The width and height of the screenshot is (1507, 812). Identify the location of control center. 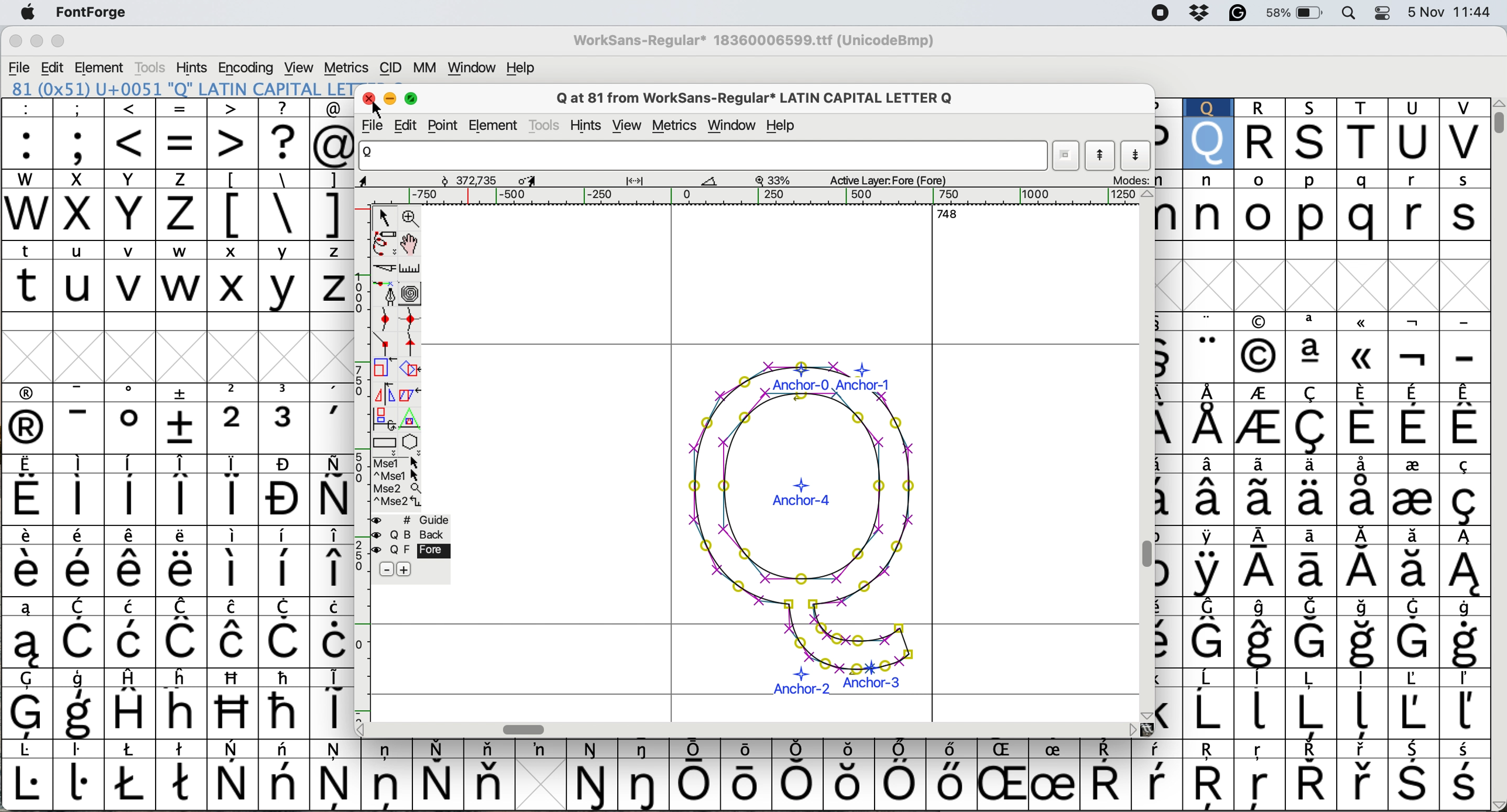
(1383, 14).